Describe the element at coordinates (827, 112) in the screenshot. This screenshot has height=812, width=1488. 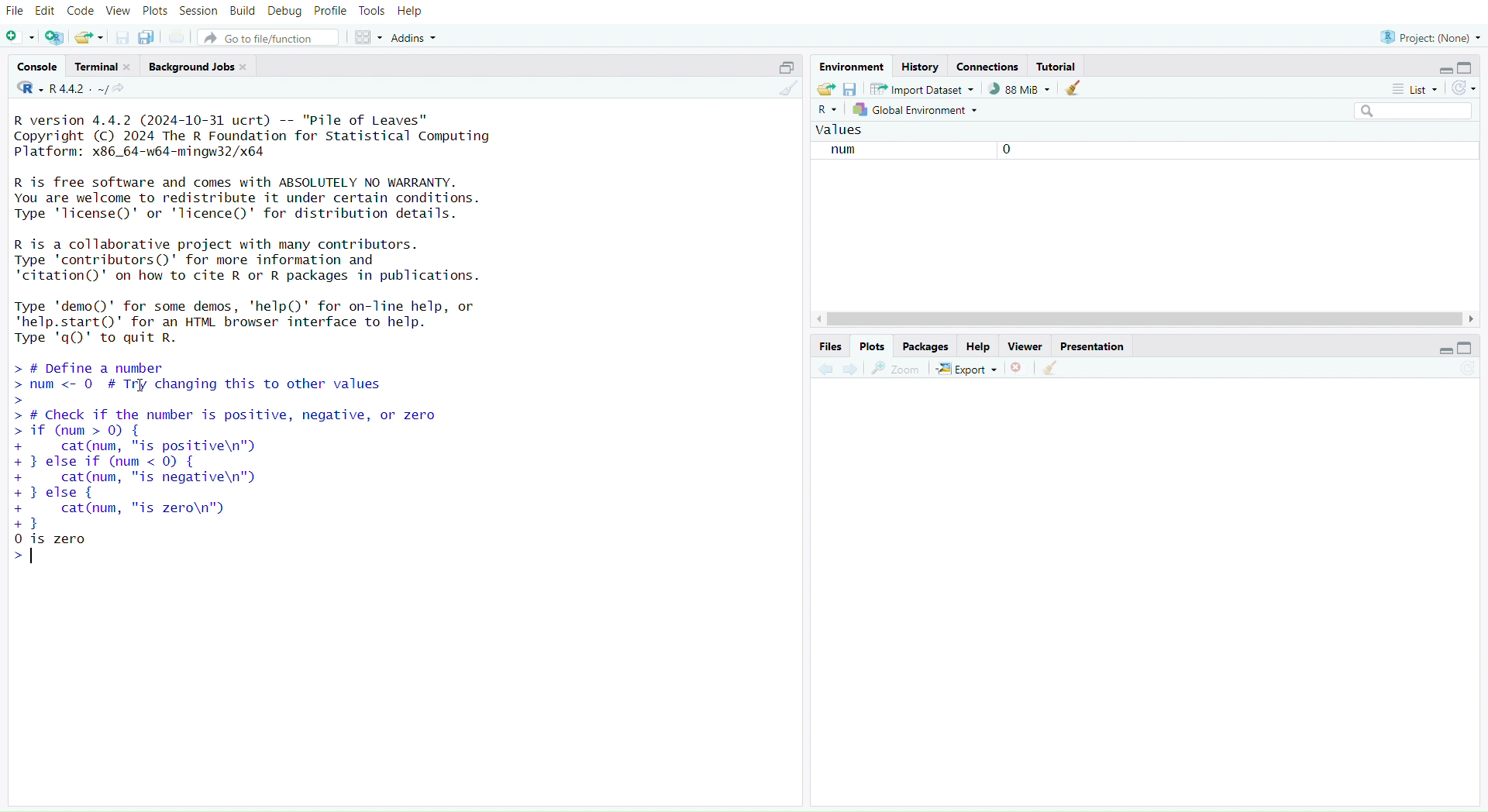
I see `R` at that location.